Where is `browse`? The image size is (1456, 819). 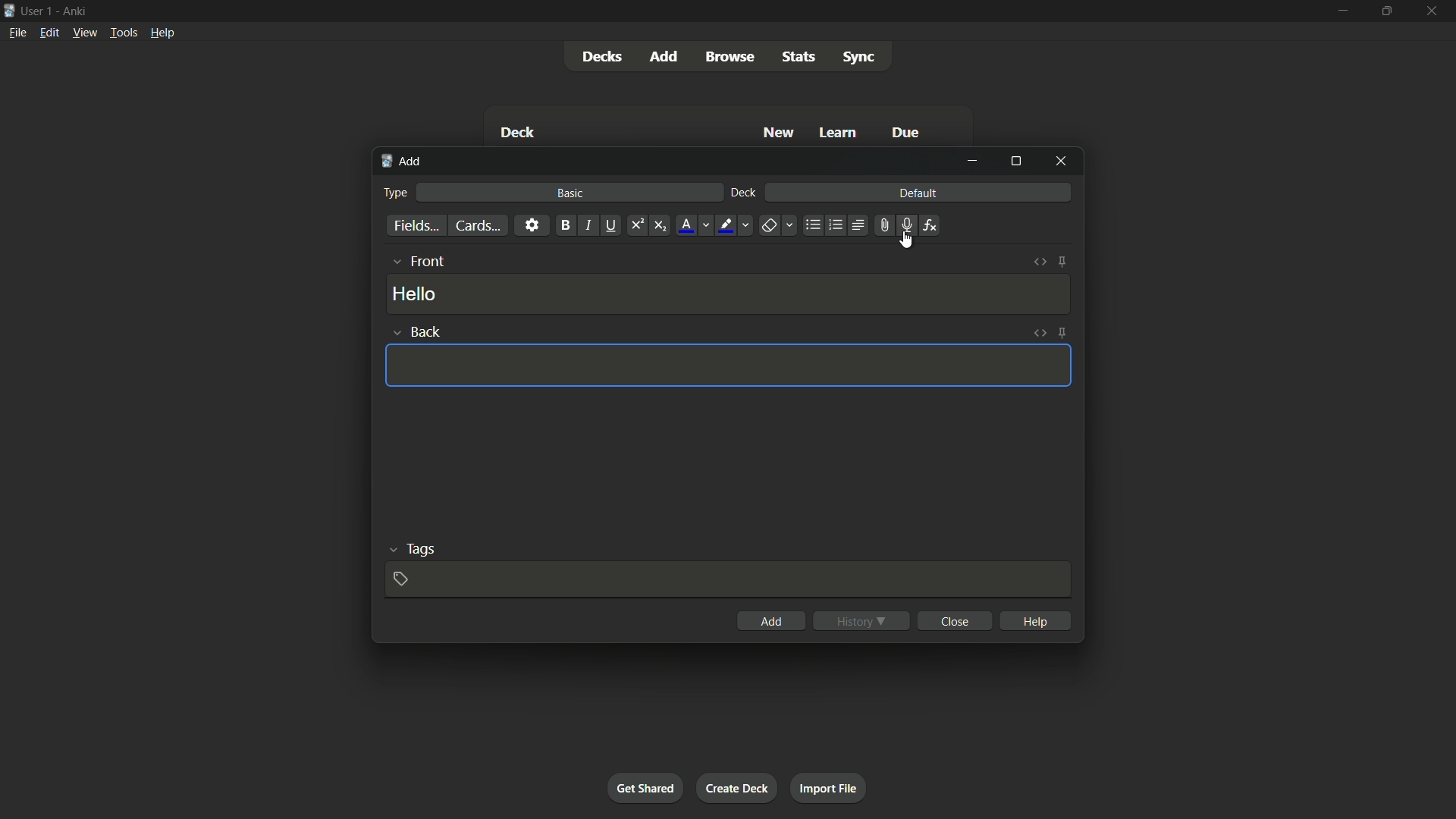
browse is located at coordinates (729, 56).